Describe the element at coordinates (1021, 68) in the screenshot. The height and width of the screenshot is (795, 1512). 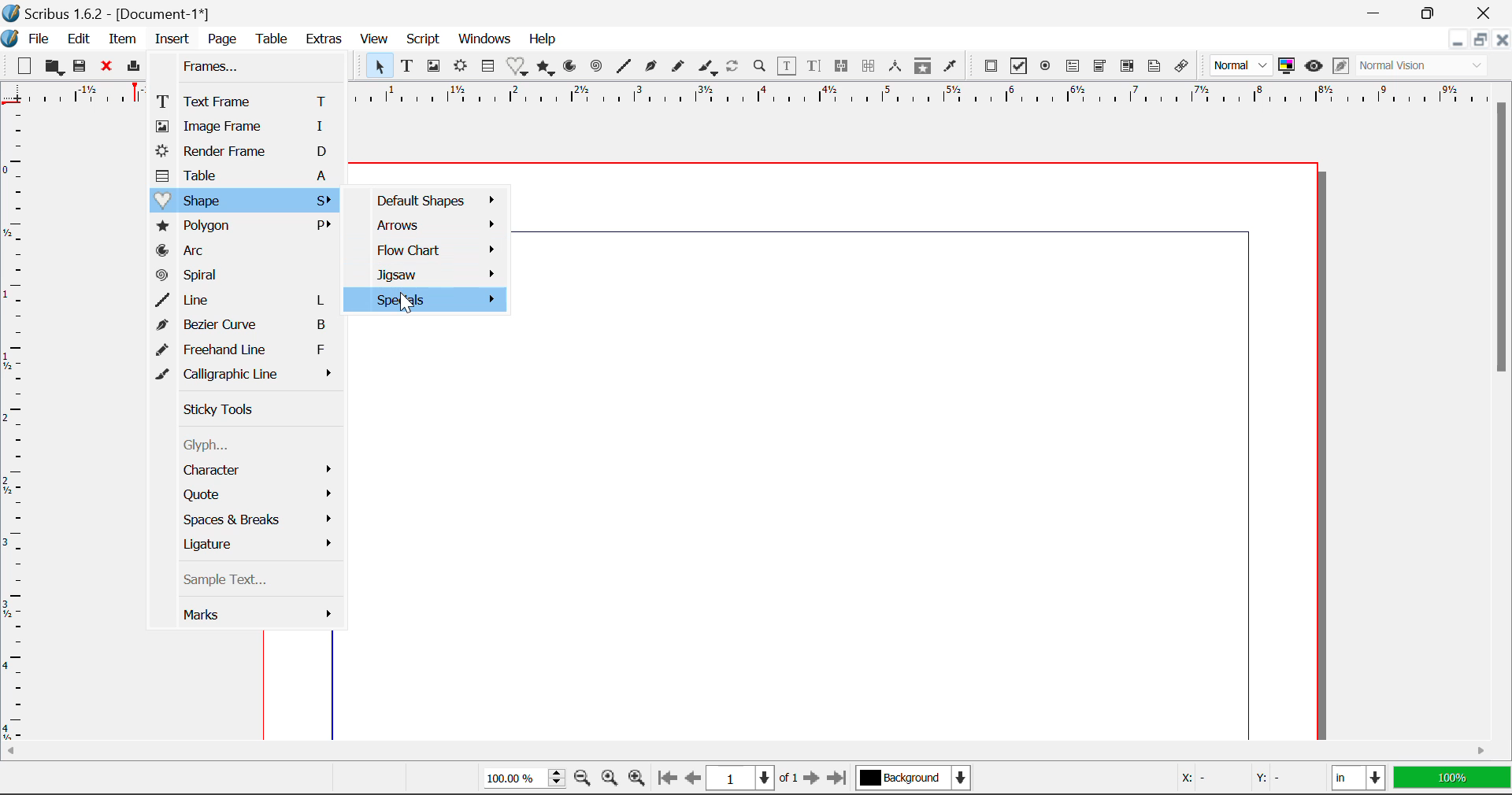
I see `Pdf Checkbox` at that location.